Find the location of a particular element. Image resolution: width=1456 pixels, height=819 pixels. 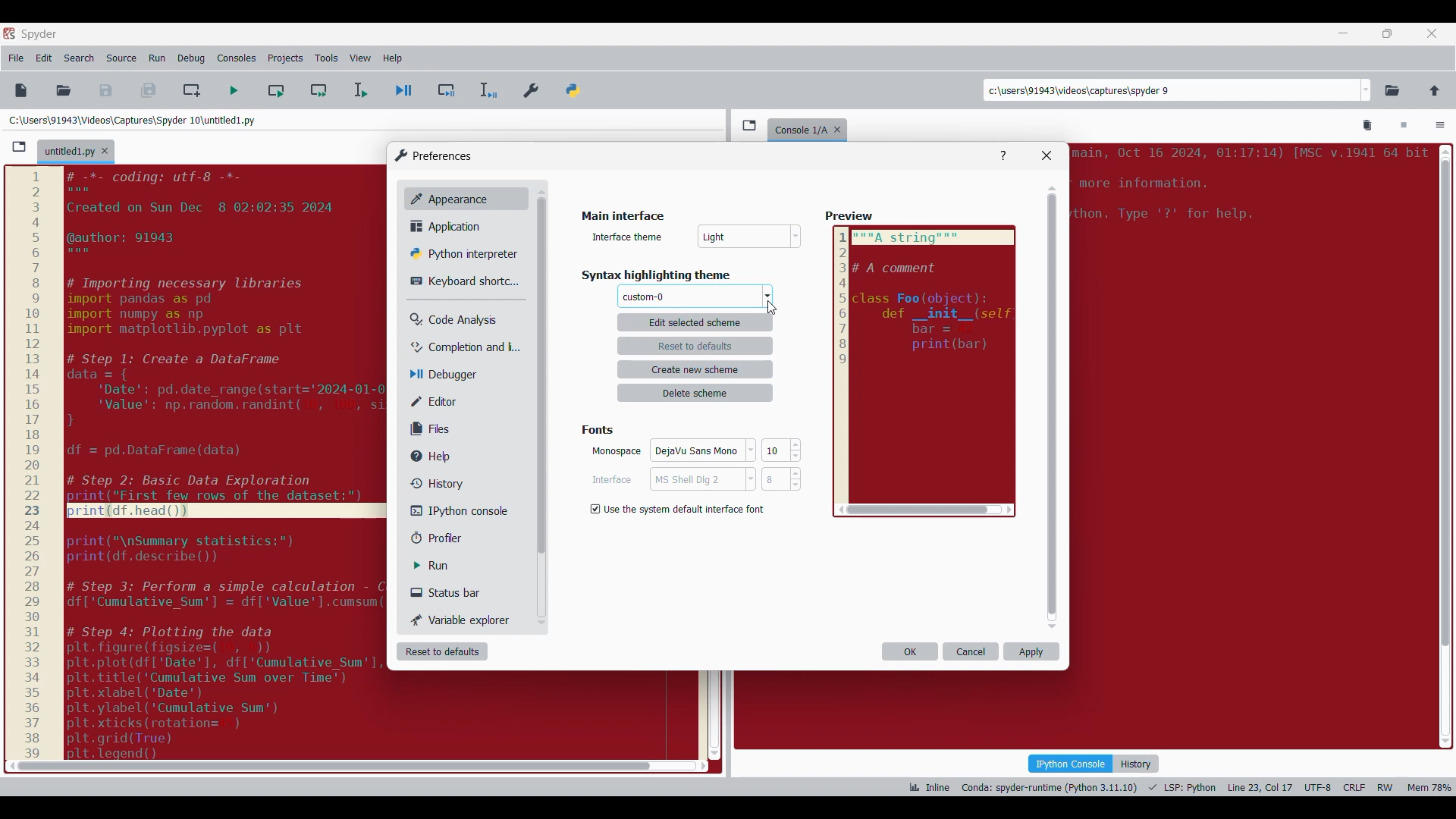

IPython console is located at coordinates (454, 510).